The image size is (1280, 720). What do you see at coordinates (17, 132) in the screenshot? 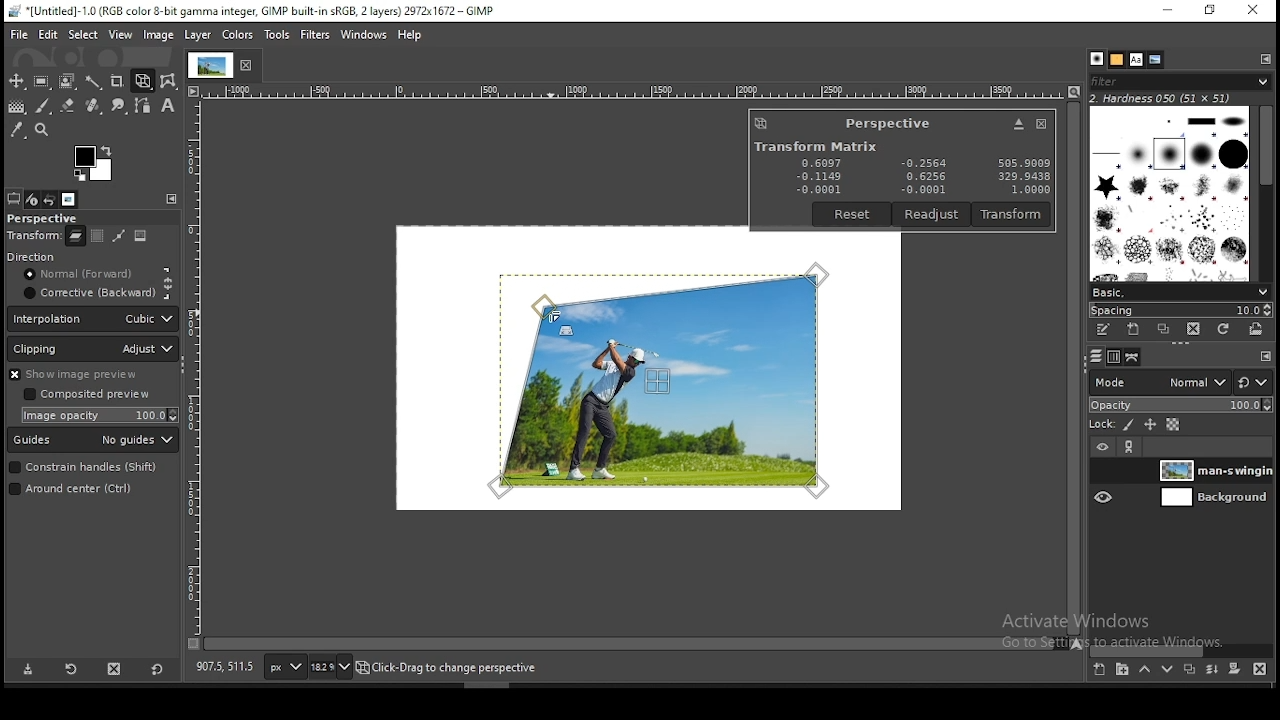
I see `color picker tool` at bounding box center [17, 132].